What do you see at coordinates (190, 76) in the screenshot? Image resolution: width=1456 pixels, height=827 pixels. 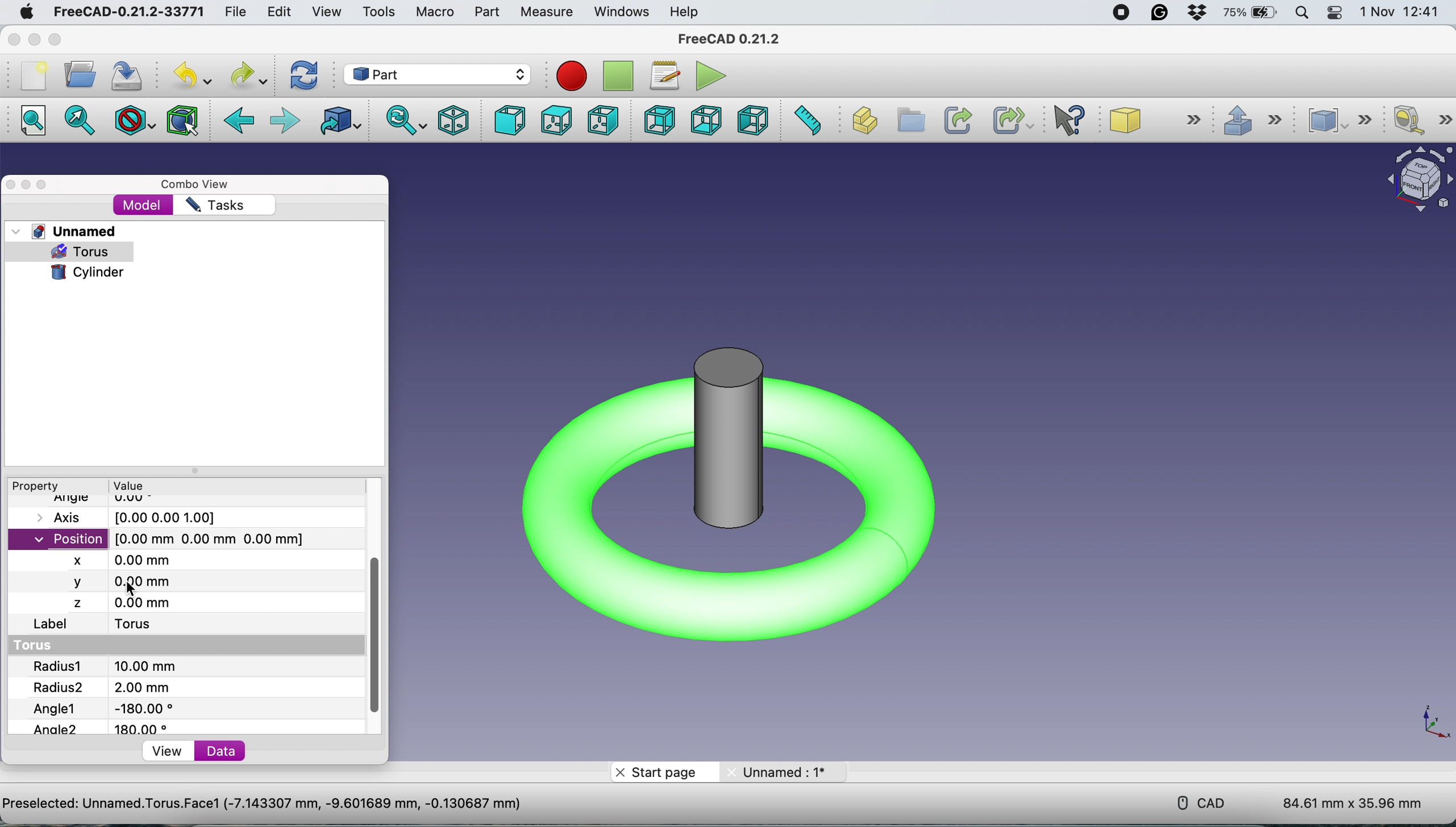 I see `undo` at bounding box center [190, 76].